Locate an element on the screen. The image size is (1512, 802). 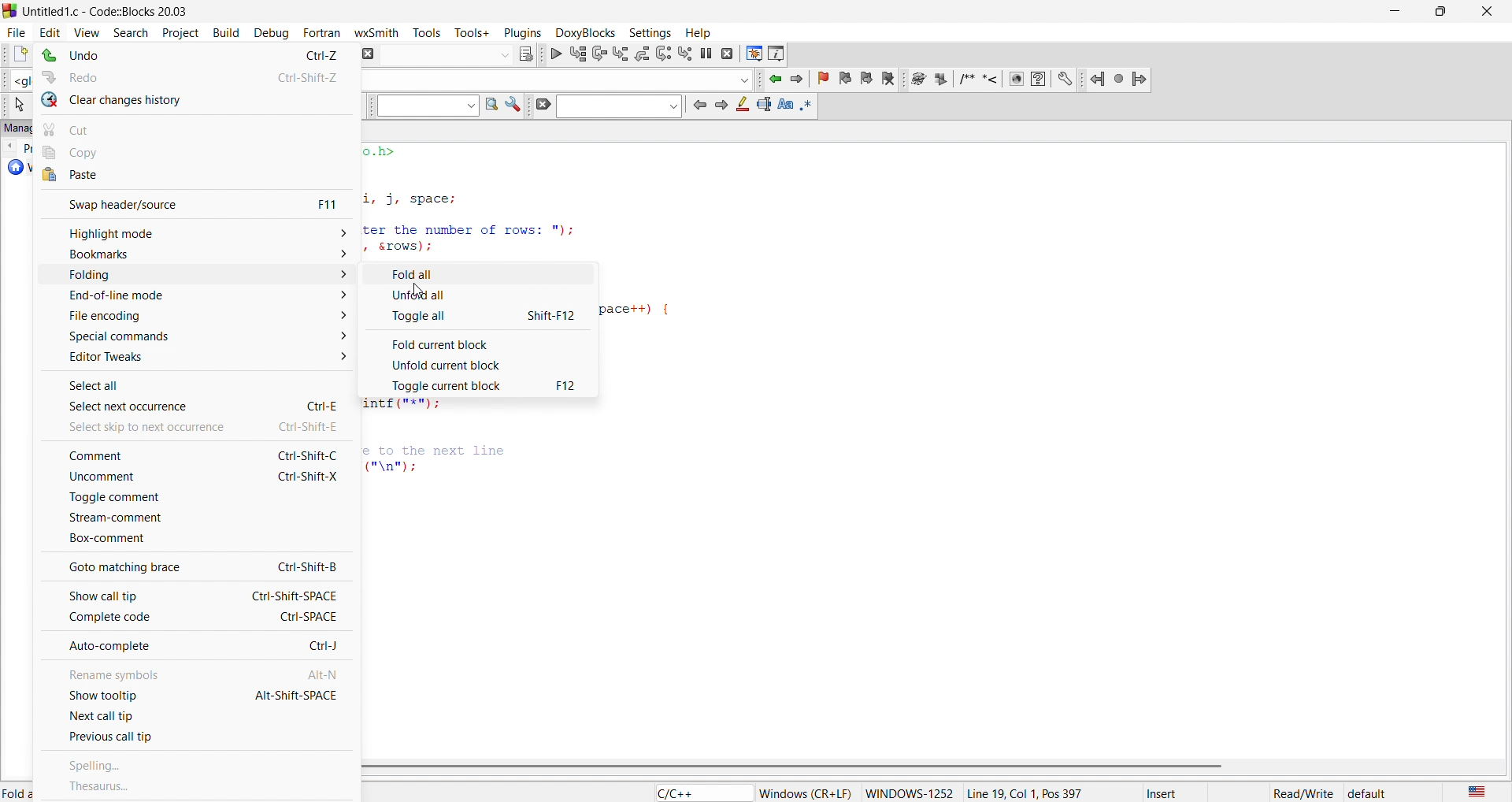
fortran is located at coordinates (319, 32).